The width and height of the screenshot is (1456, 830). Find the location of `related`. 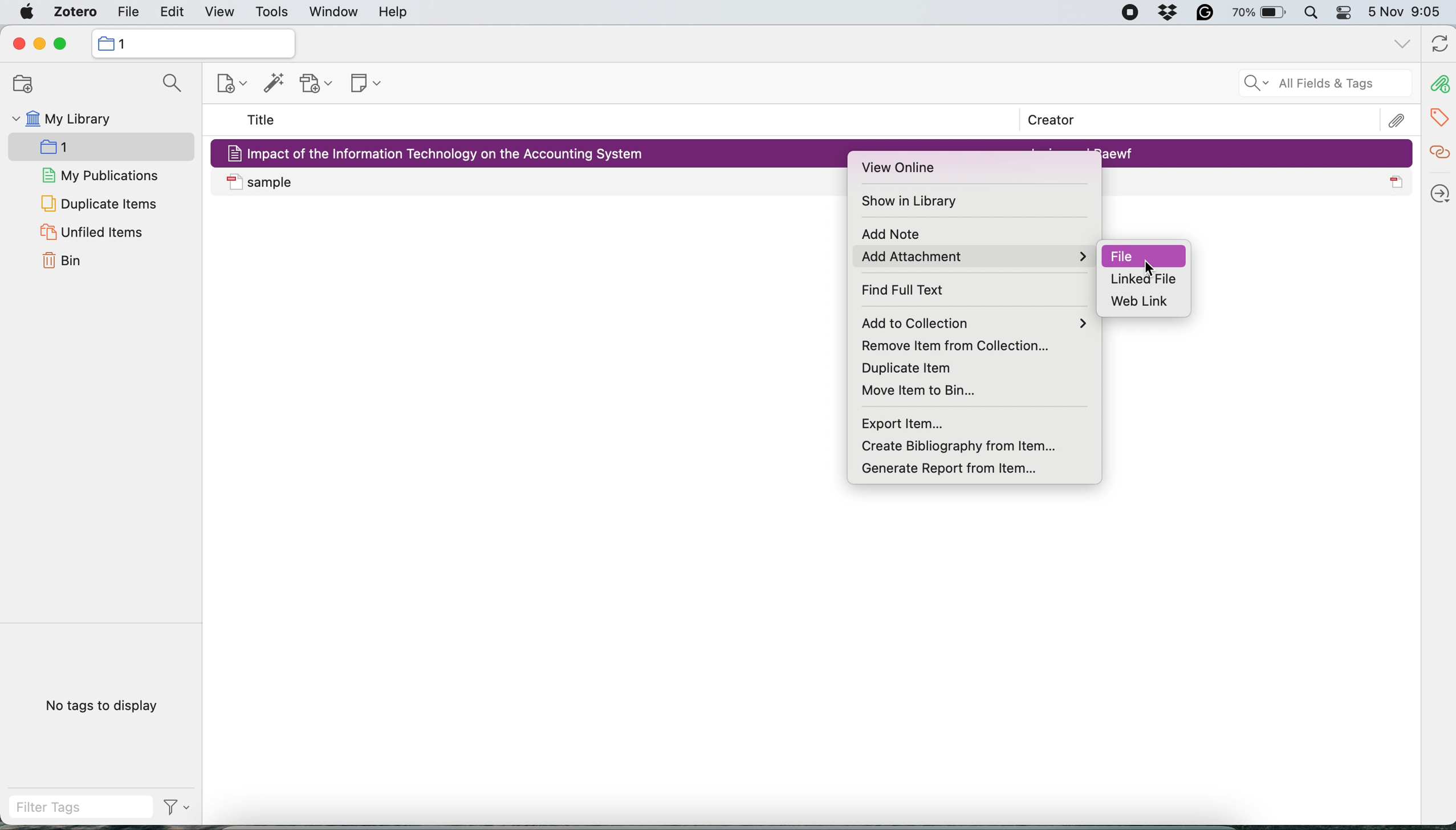

related is located at coordinates (1438, 150).